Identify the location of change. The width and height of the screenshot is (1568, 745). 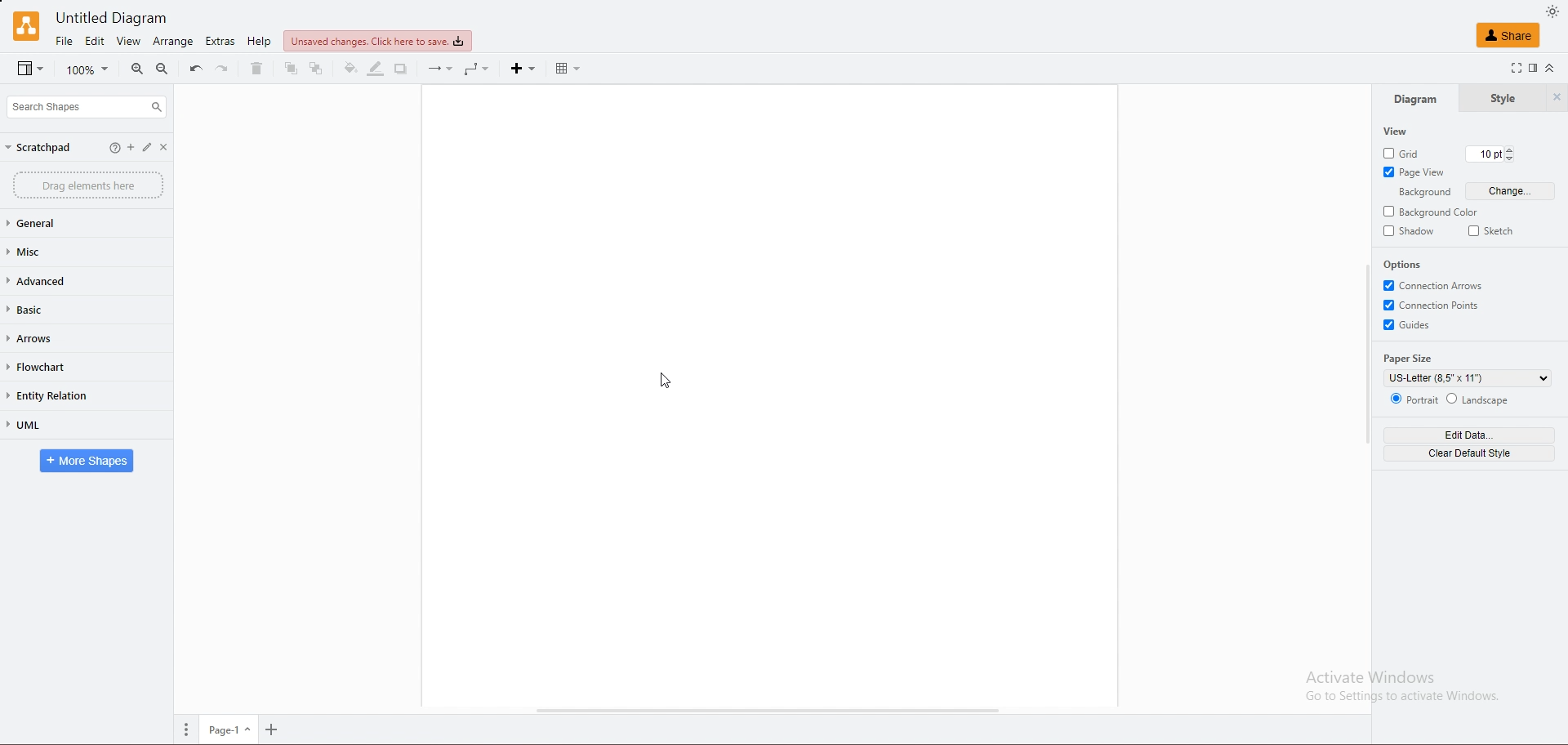
(1511, 190).